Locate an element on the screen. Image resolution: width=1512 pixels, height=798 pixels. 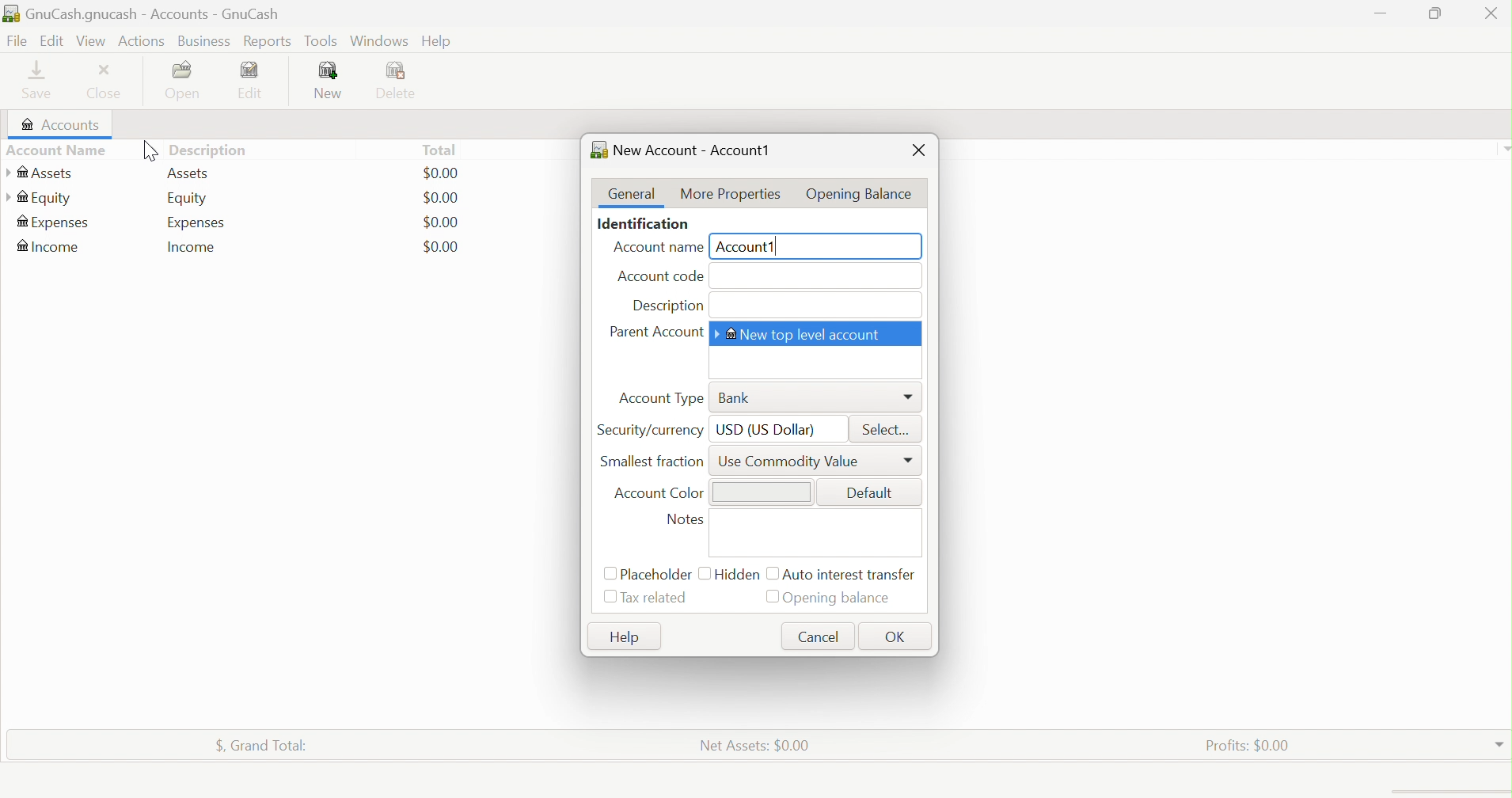
$0.00 is located at coordinates (441, 173).